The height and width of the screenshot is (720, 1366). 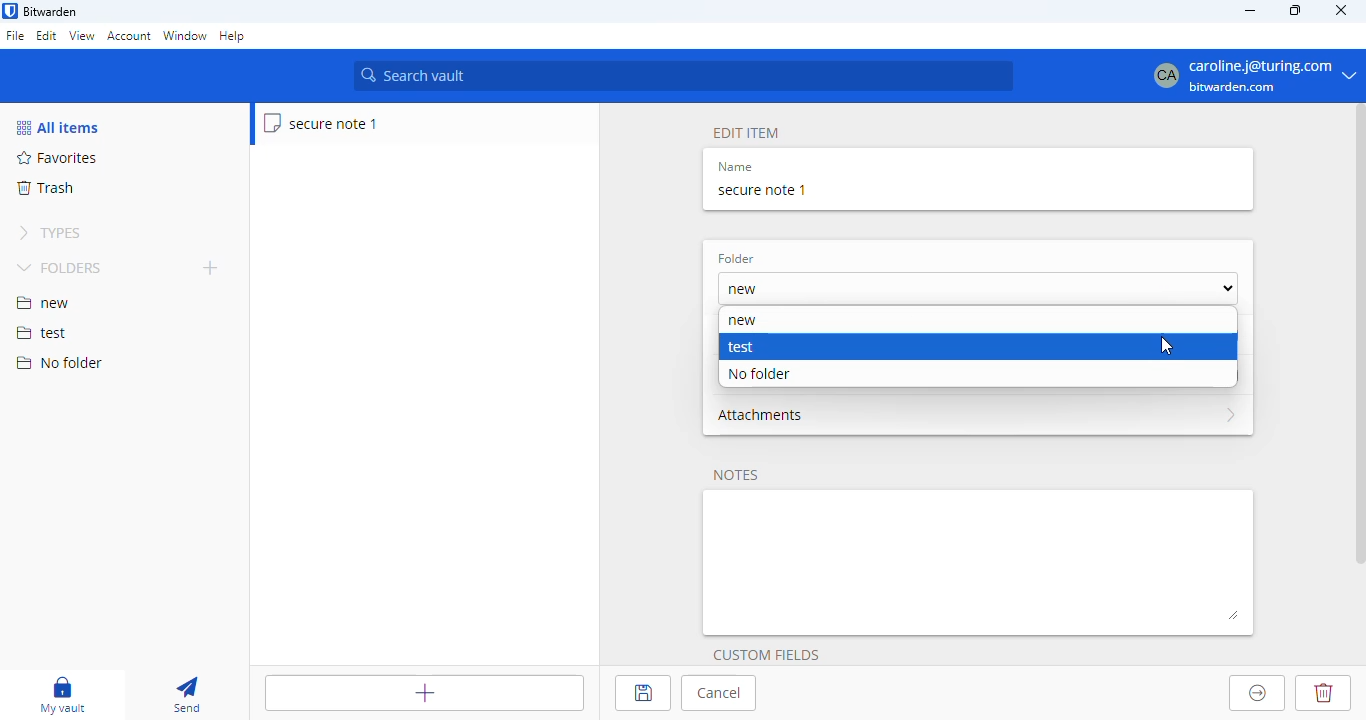 What do you see at coordinates (62, 267) in the screenshot?
I see `folders` at bounding box center [62, 267].